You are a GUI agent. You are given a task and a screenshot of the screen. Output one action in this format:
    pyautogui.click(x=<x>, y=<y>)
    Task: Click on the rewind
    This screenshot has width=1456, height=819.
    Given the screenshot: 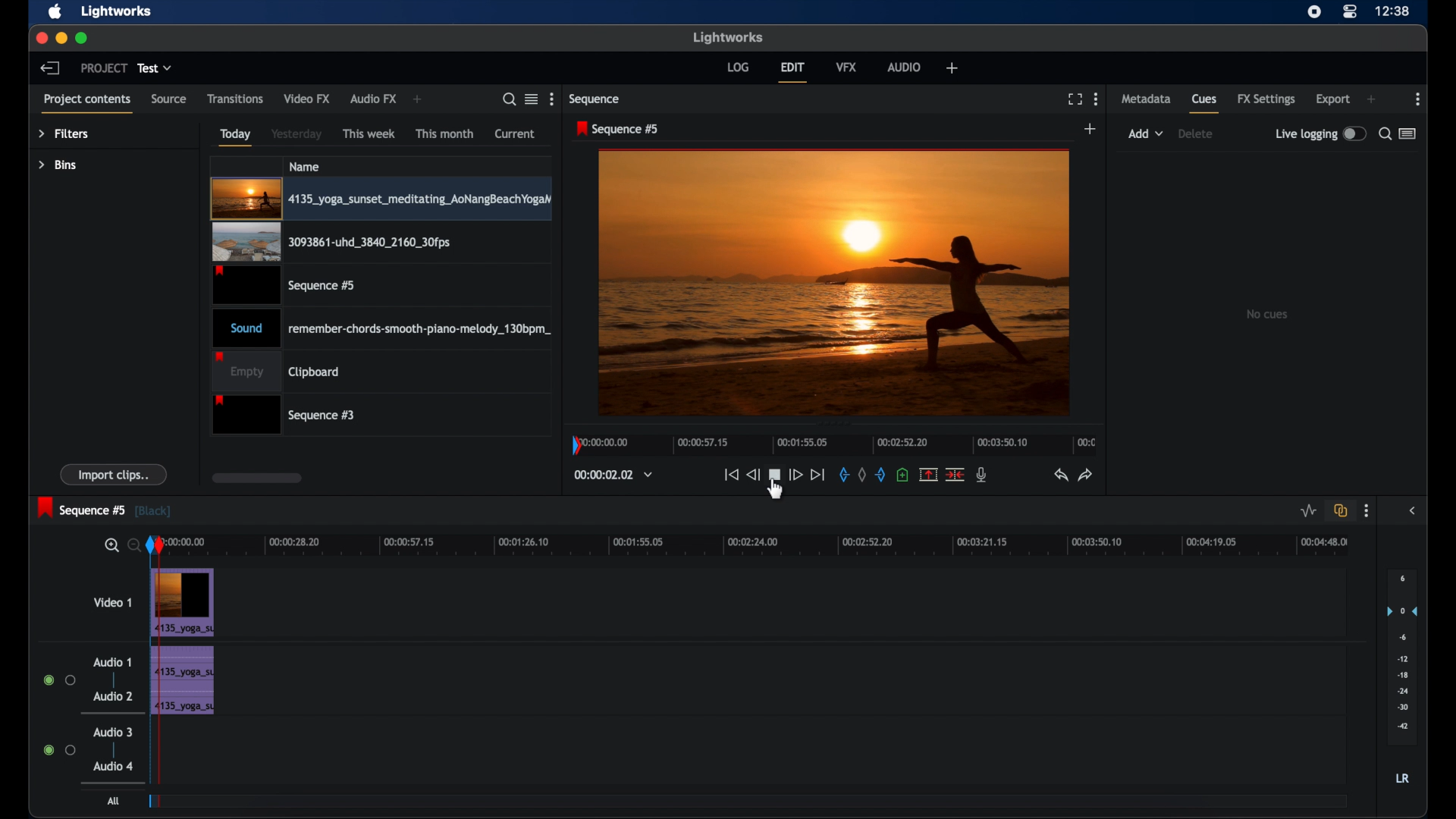 What is the action you would take?
    pyautogui.click(x=754, y=475)
    